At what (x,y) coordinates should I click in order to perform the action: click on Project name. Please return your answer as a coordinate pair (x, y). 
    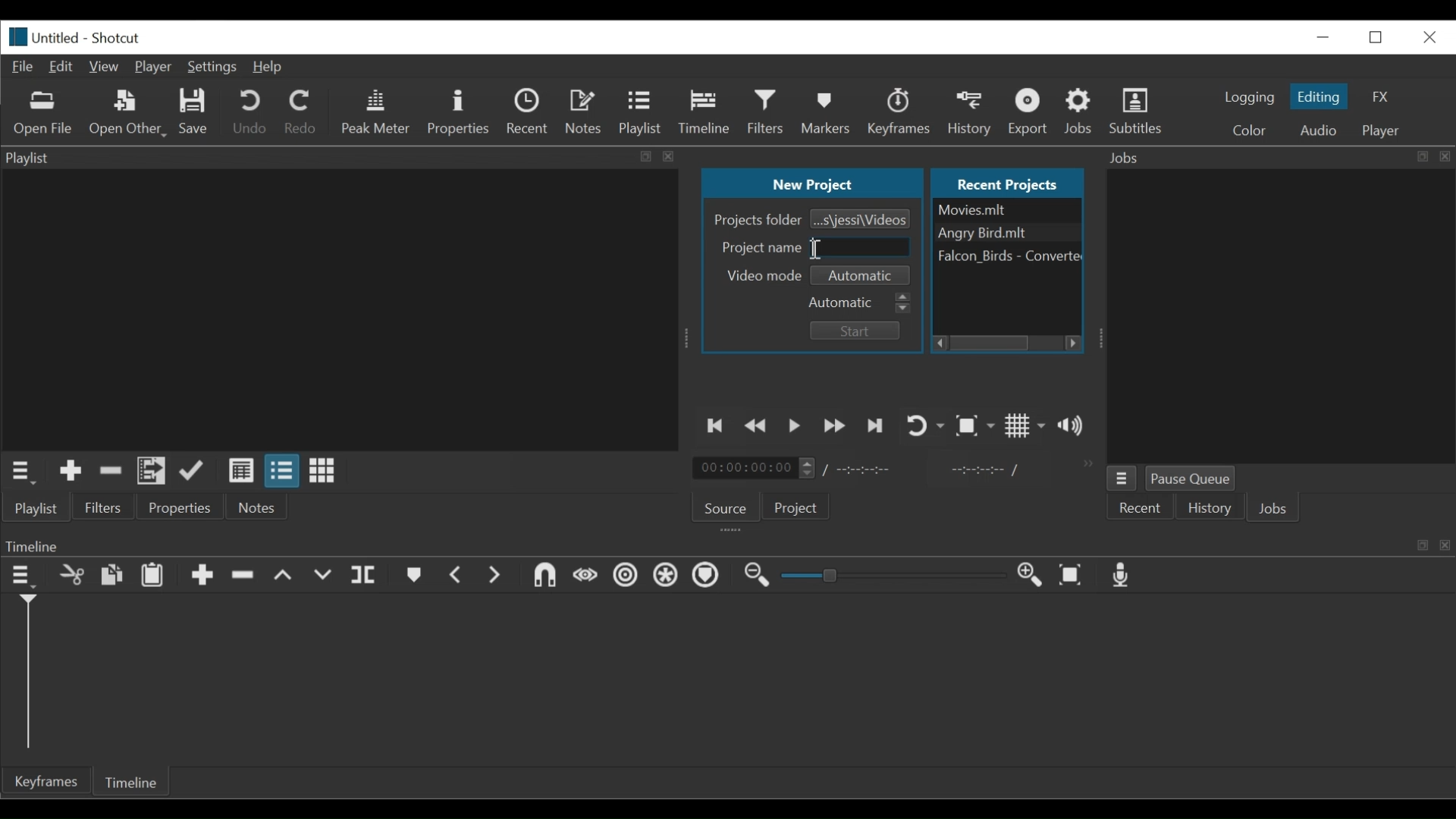
    Looking at the image, I should click on (761, 249).